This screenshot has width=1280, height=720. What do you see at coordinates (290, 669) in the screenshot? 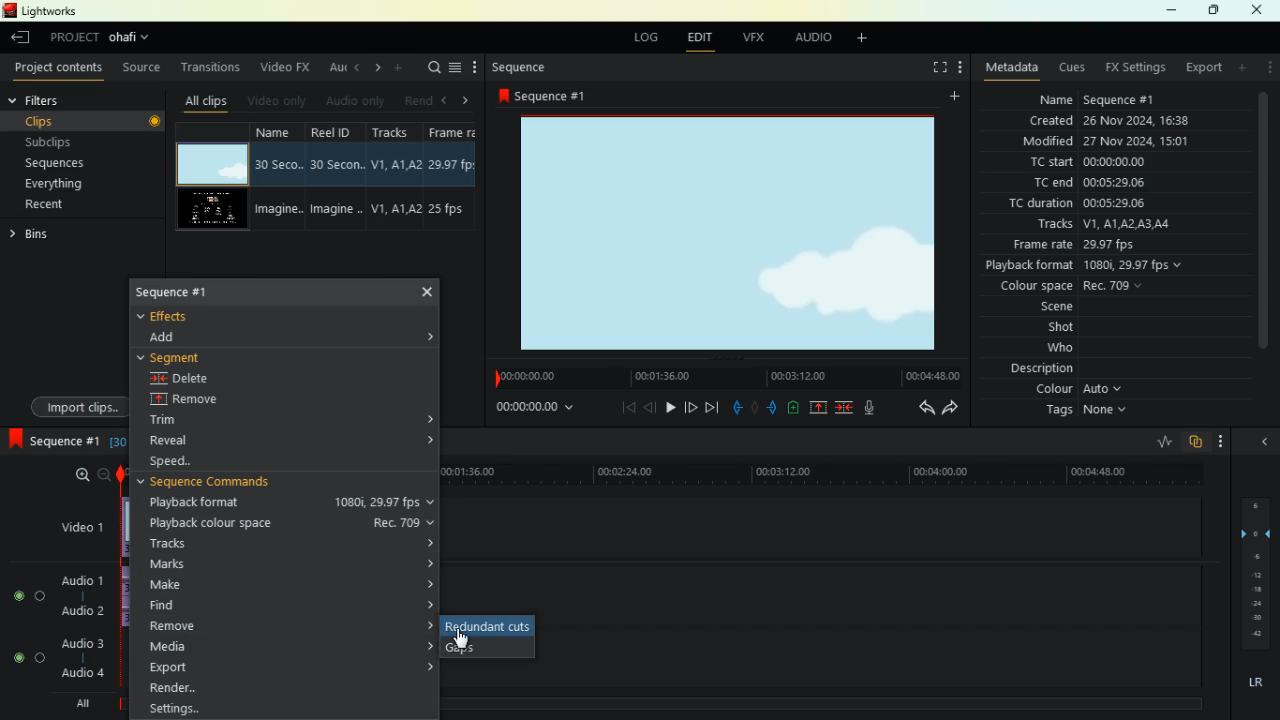
I see `export` at bounding box center [290, 669].